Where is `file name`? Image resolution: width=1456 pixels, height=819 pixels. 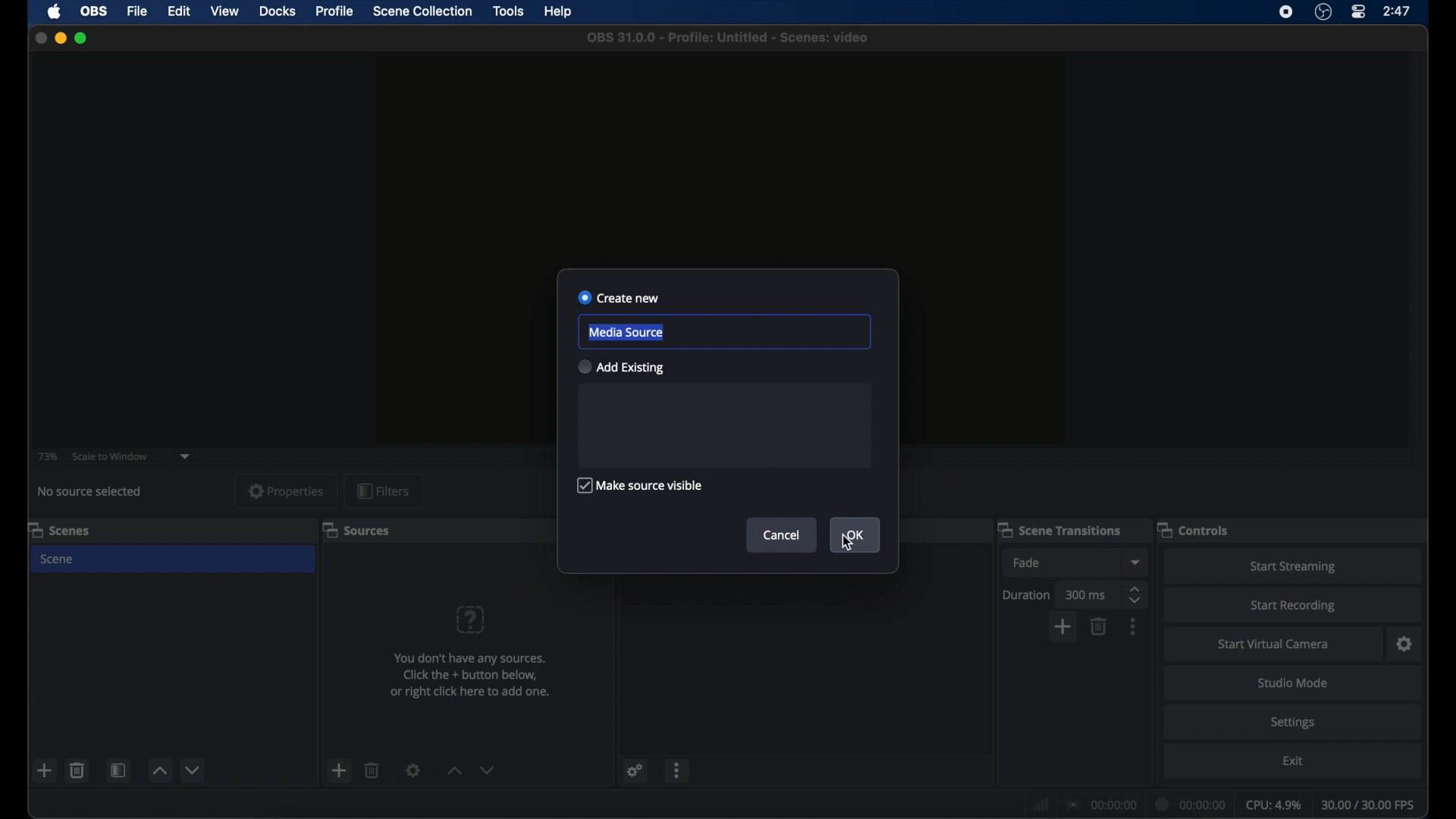 file name is located at coordinates (728, 38).